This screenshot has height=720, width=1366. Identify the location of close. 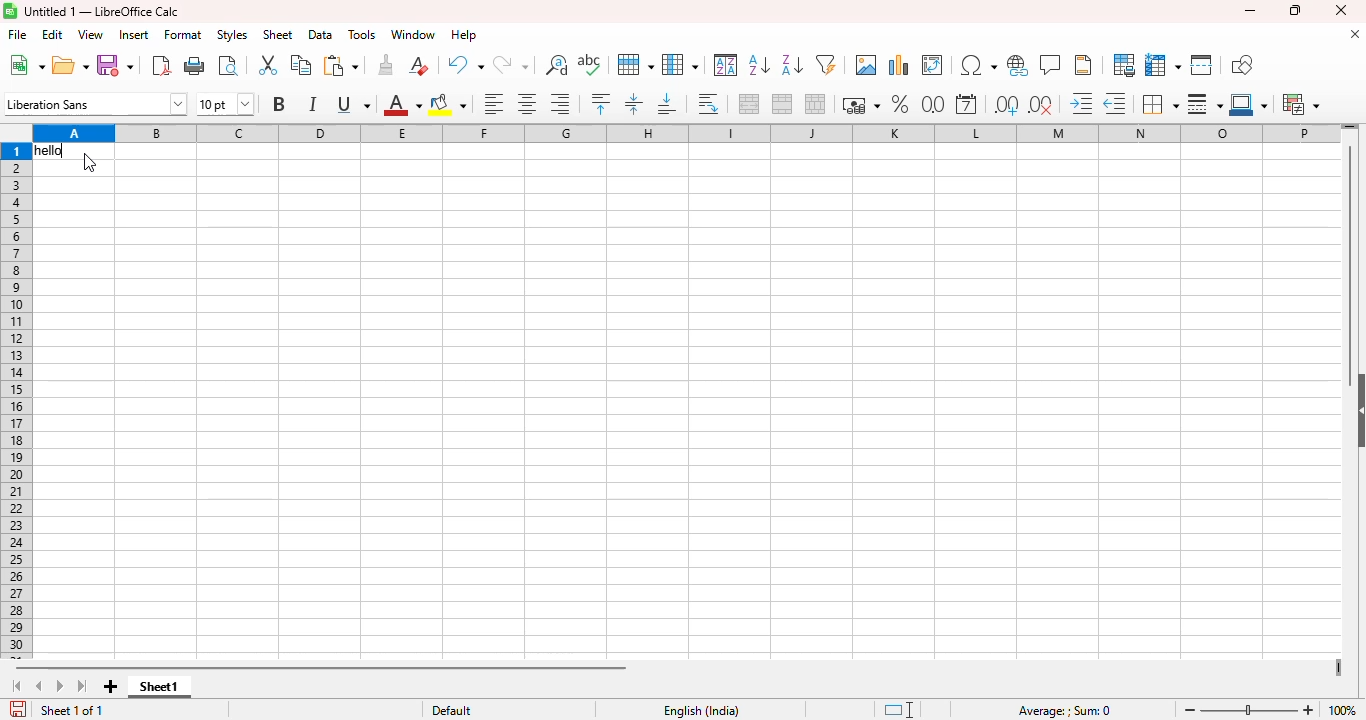
(1340, 10).